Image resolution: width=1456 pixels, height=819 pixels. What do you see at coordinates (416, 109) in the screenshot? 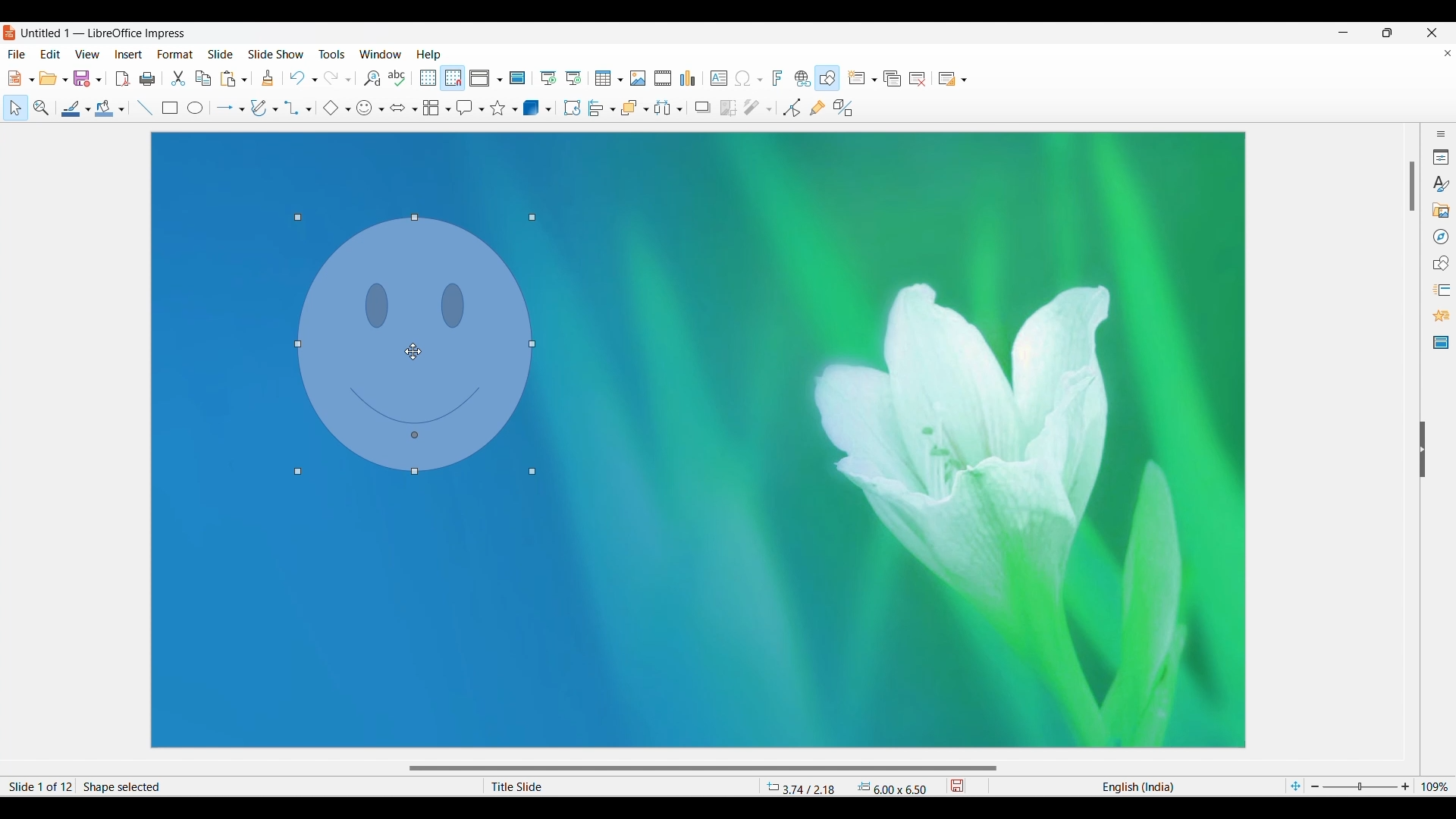
I see `Block arrow options` at bounding box center [416, 109].